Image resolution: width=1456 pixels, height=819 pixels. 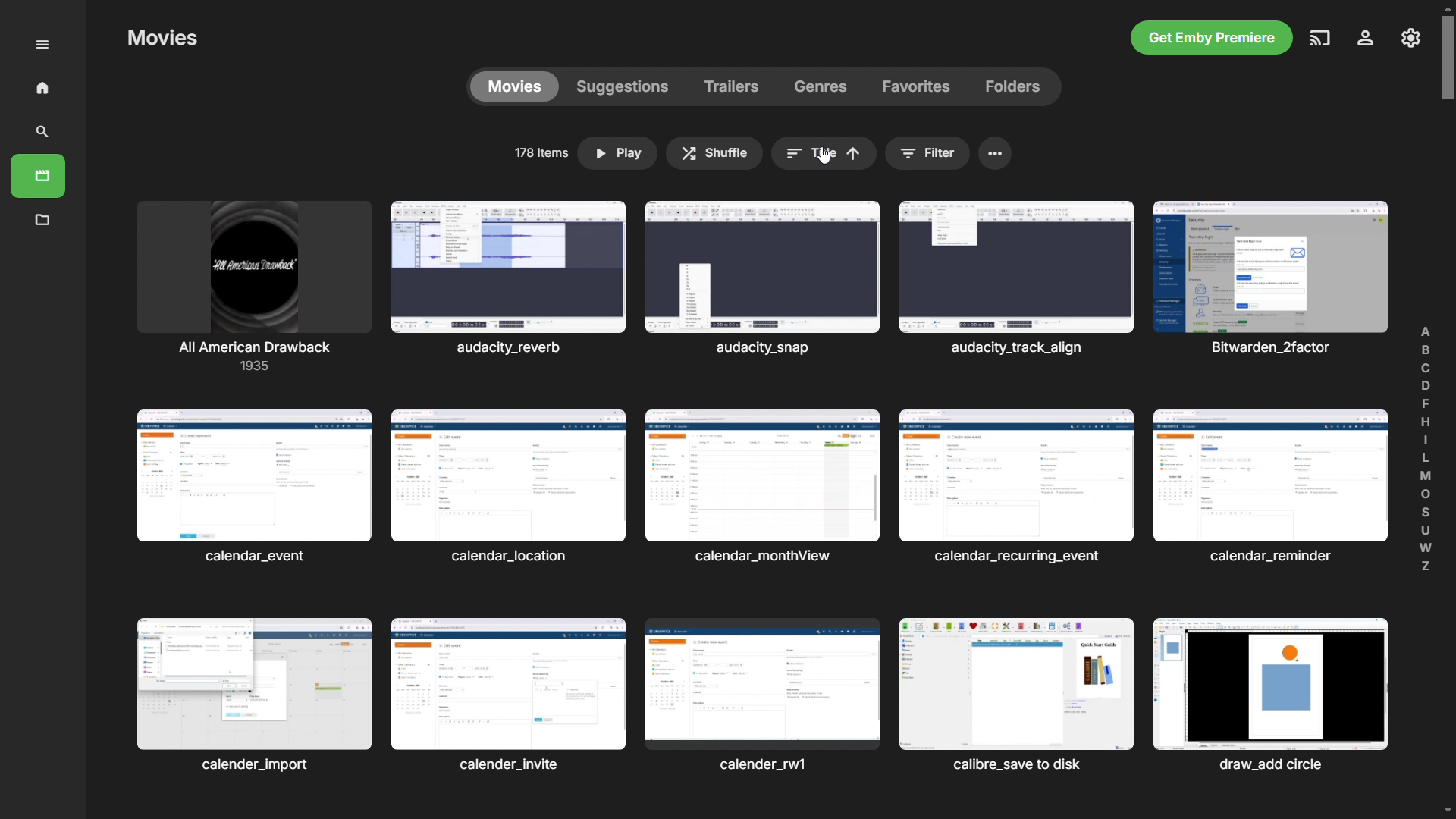 What do you see at coordinates (996, 153) in the screenshot?
I see `menu` at bounding box center [996, 153].